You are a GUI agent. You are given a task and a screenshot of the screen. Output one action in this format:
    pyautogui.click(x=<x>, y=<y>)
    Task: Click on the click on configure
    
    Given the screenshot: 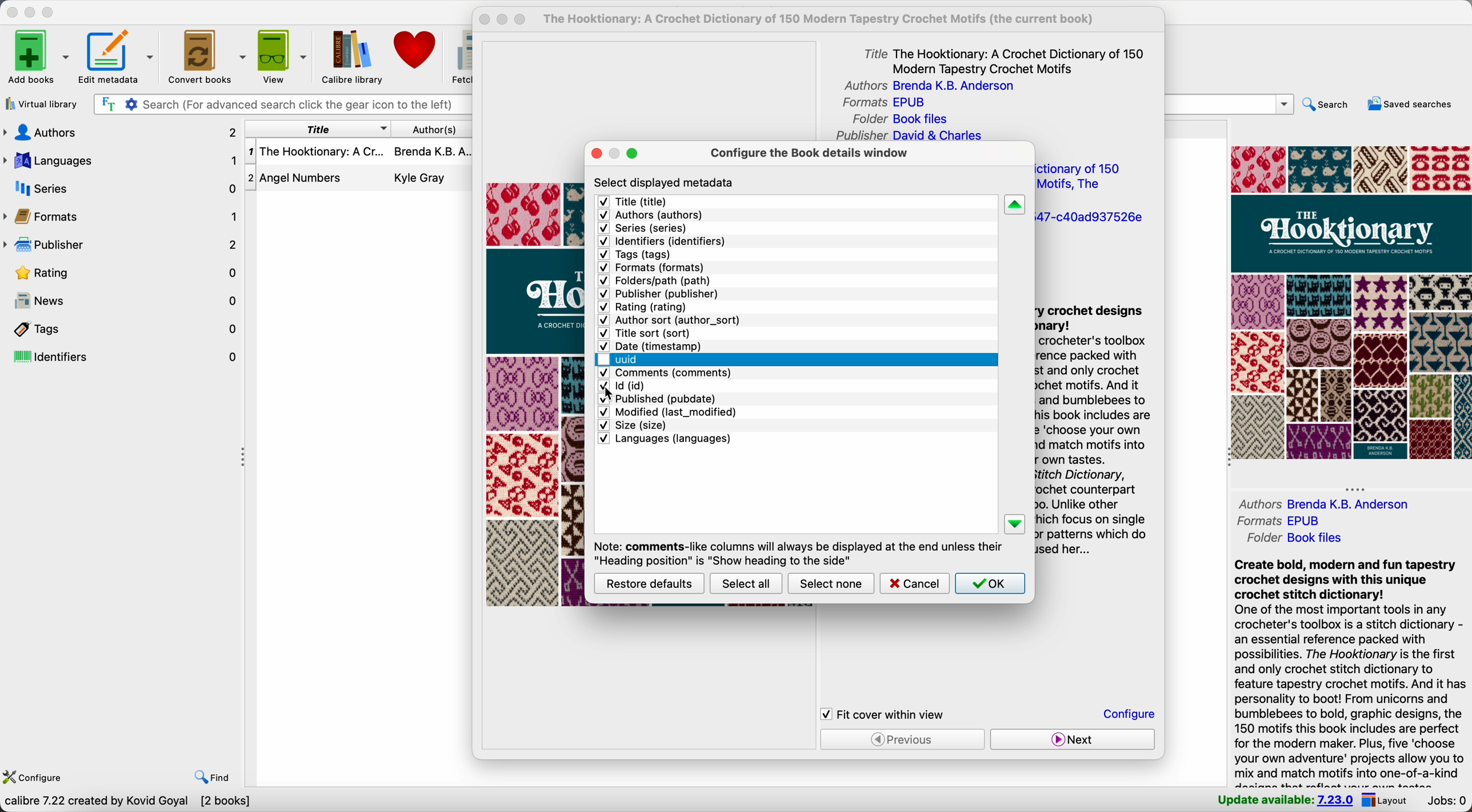 What is the action you would take?
    pyautogui.click(x=1131, y=715)
    